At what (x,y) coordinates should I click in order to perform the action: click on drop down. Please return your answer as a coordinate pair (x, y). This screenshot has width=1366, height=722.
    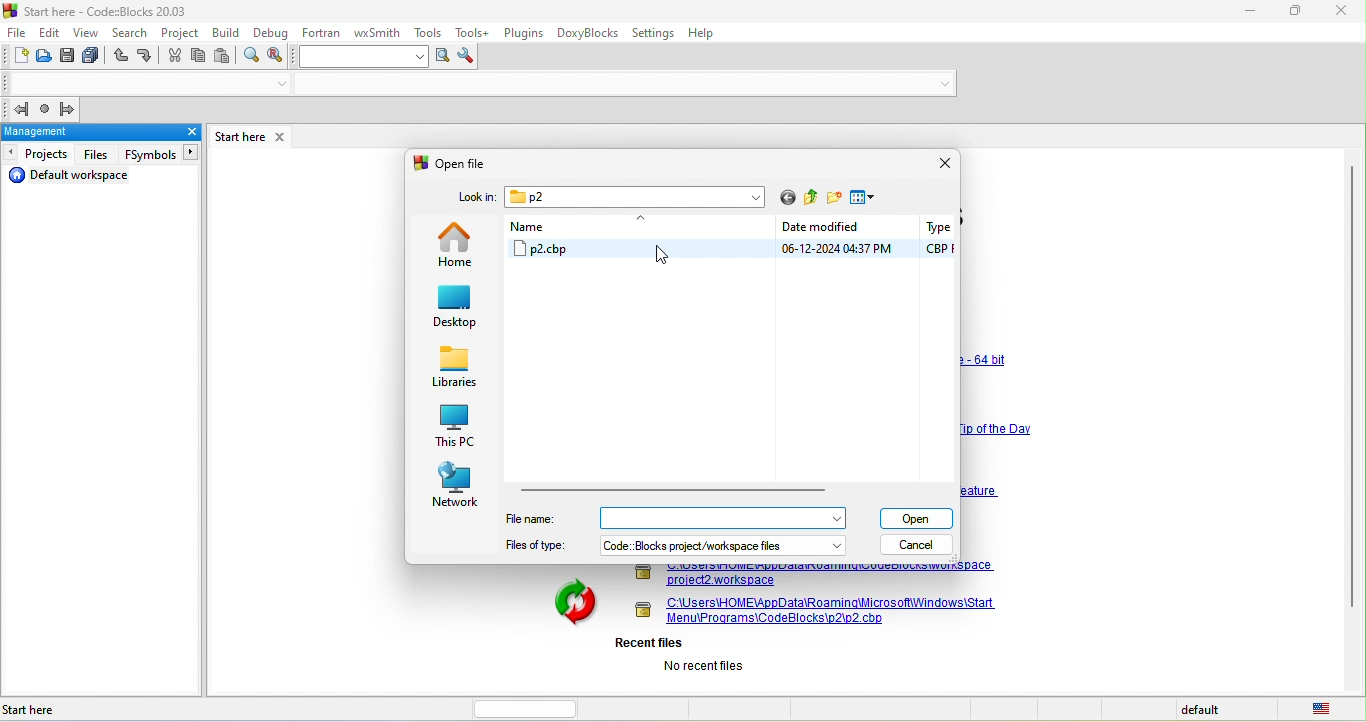
    Looking at the image, I should click on (942, 83).